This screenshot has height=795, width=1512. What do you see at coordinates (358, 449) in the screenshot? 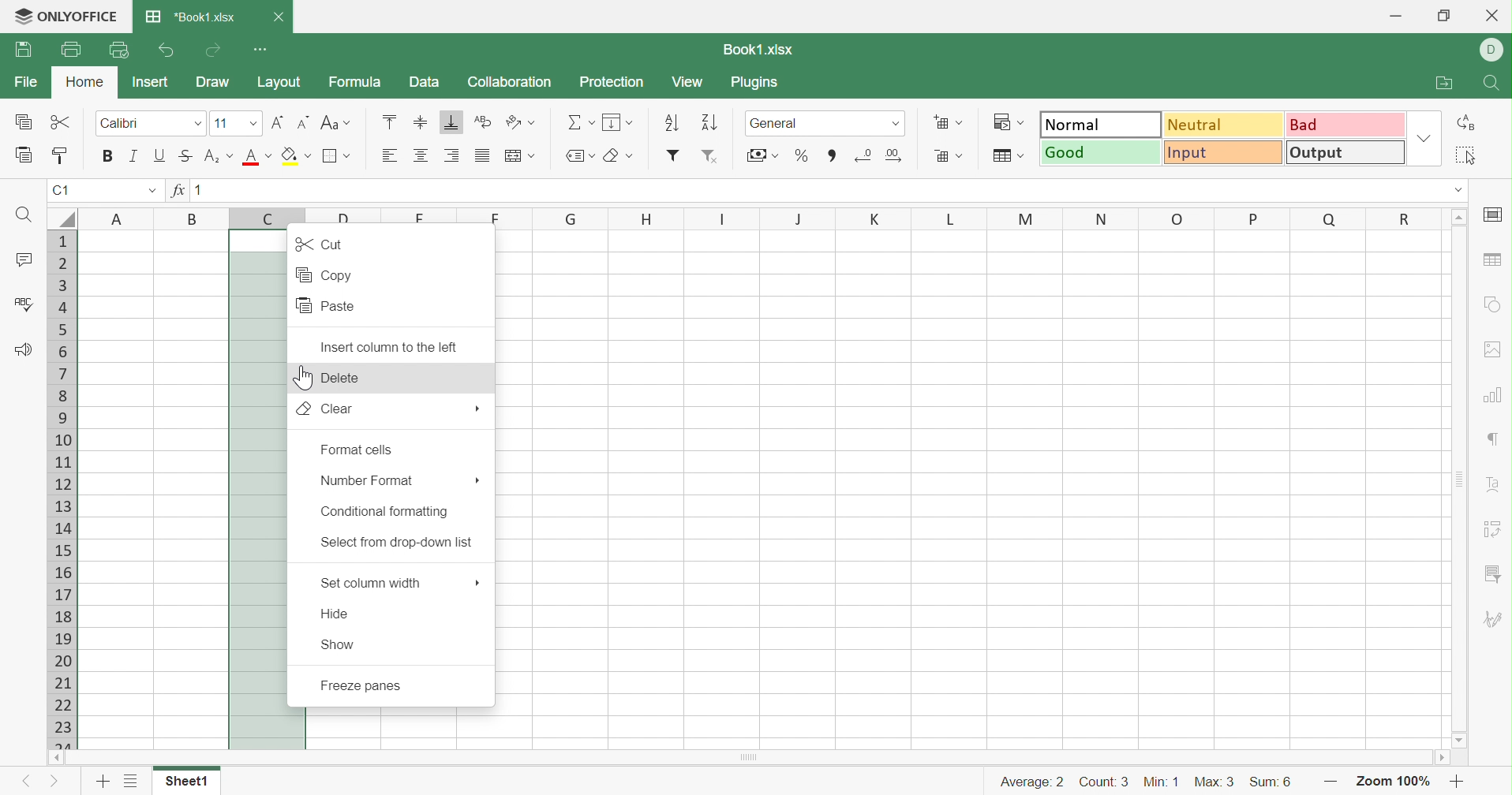
I see `Format cells` at bounding box center [358, 449].